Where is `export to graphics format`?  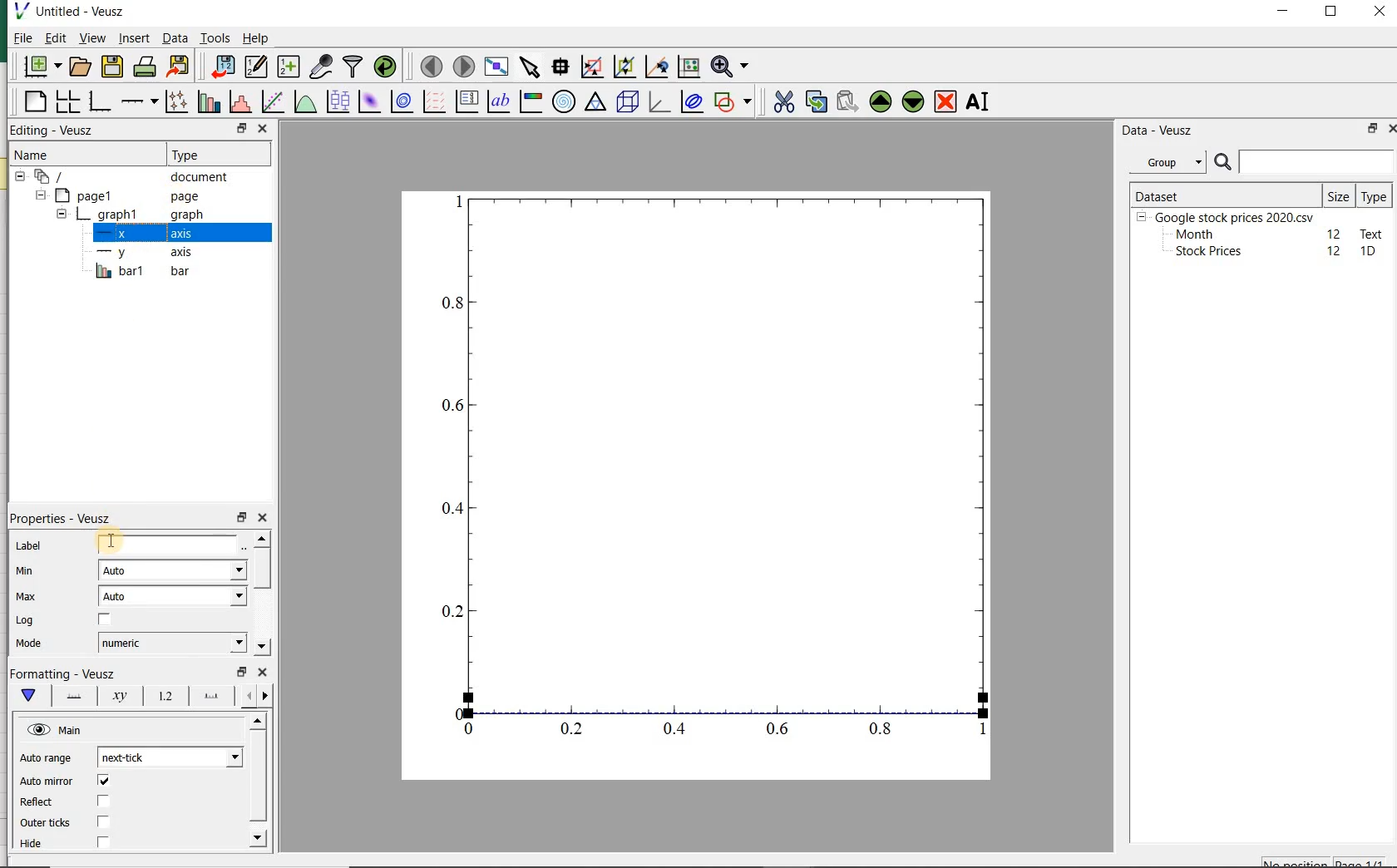
export to graphics format is located at coordinates (179, 67).